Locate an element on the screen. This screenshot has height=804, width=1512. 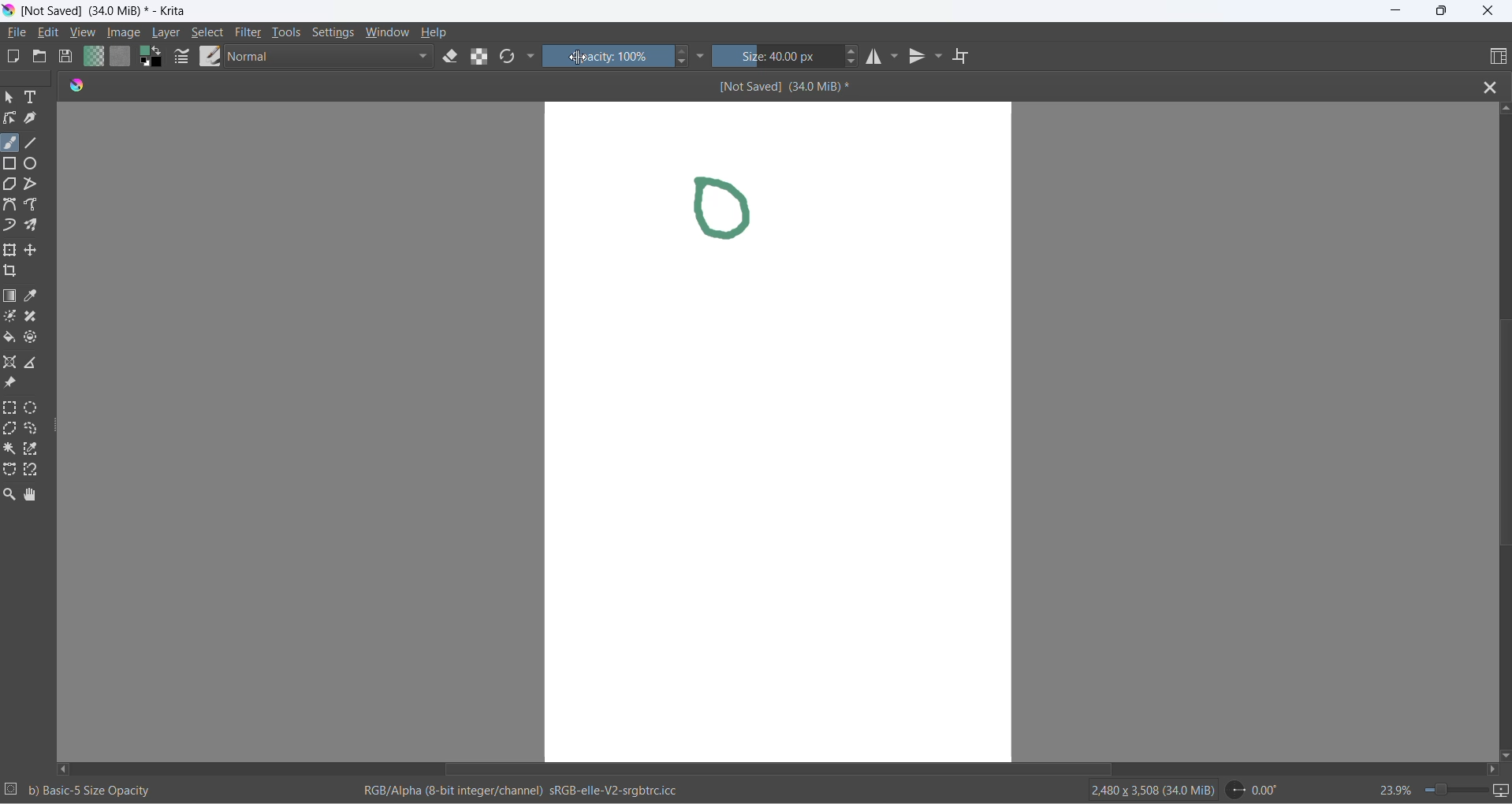
enclose and fill tool is located at coordinates (35, 336).